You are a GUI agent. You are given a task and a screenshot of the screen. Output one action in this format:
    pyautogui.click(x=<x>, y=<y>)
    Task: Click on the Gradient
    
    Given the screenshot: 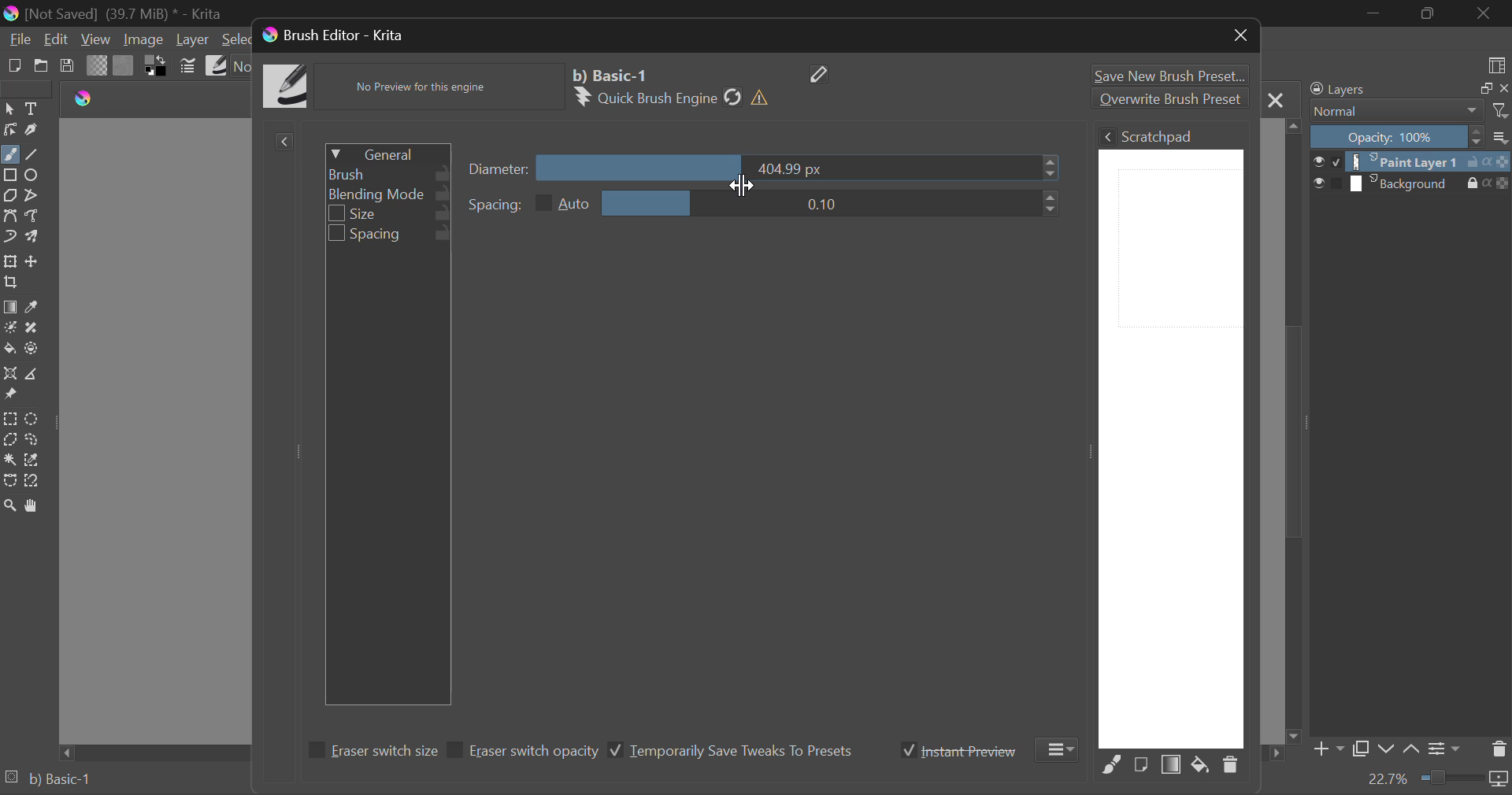 What is the action you would take?
    pyautogui.click(x=98, y=65)
    